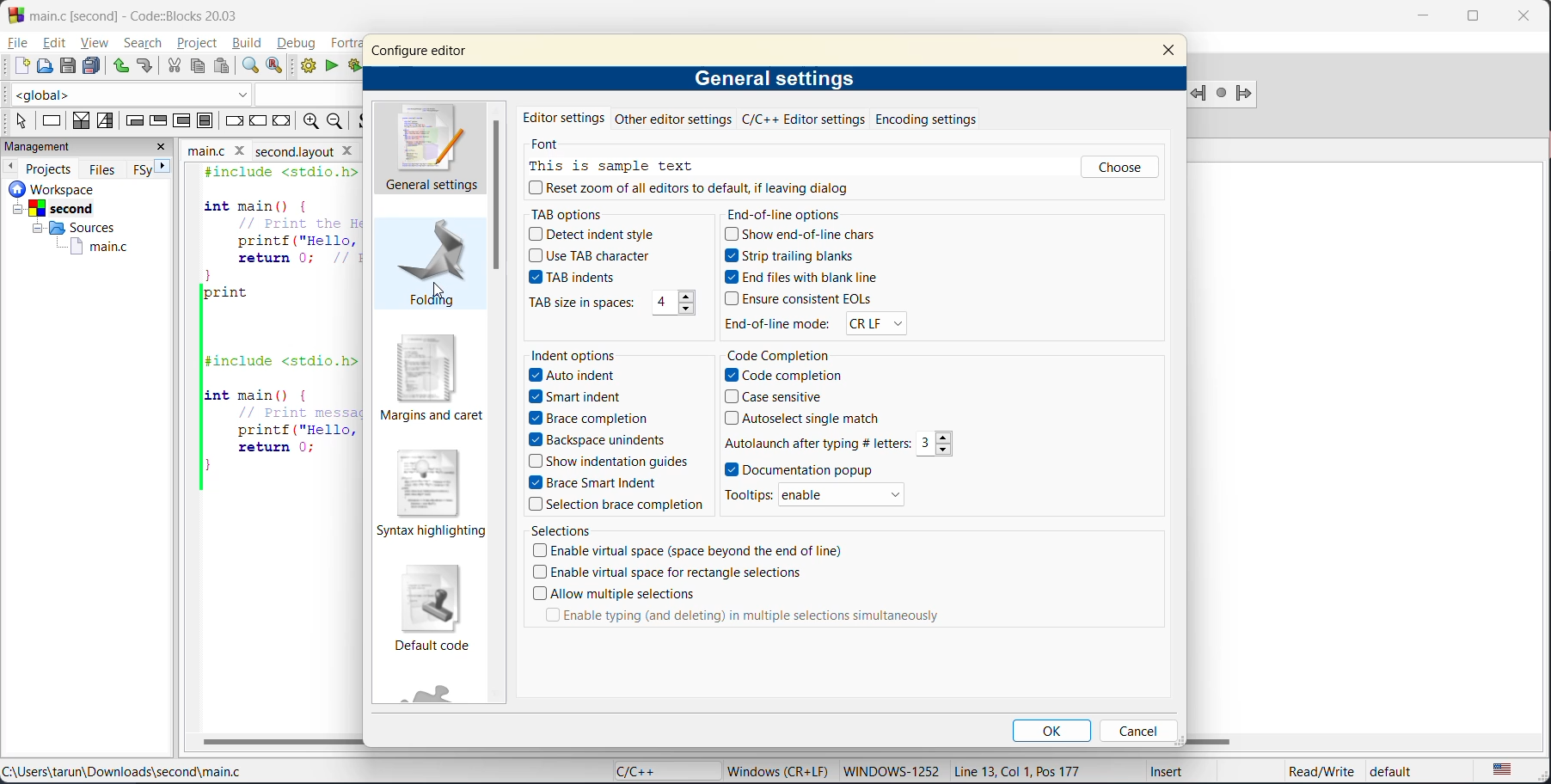 The image size is (1551, 784). I want to click on reset zoom of all editors to default, so click(697, 189).